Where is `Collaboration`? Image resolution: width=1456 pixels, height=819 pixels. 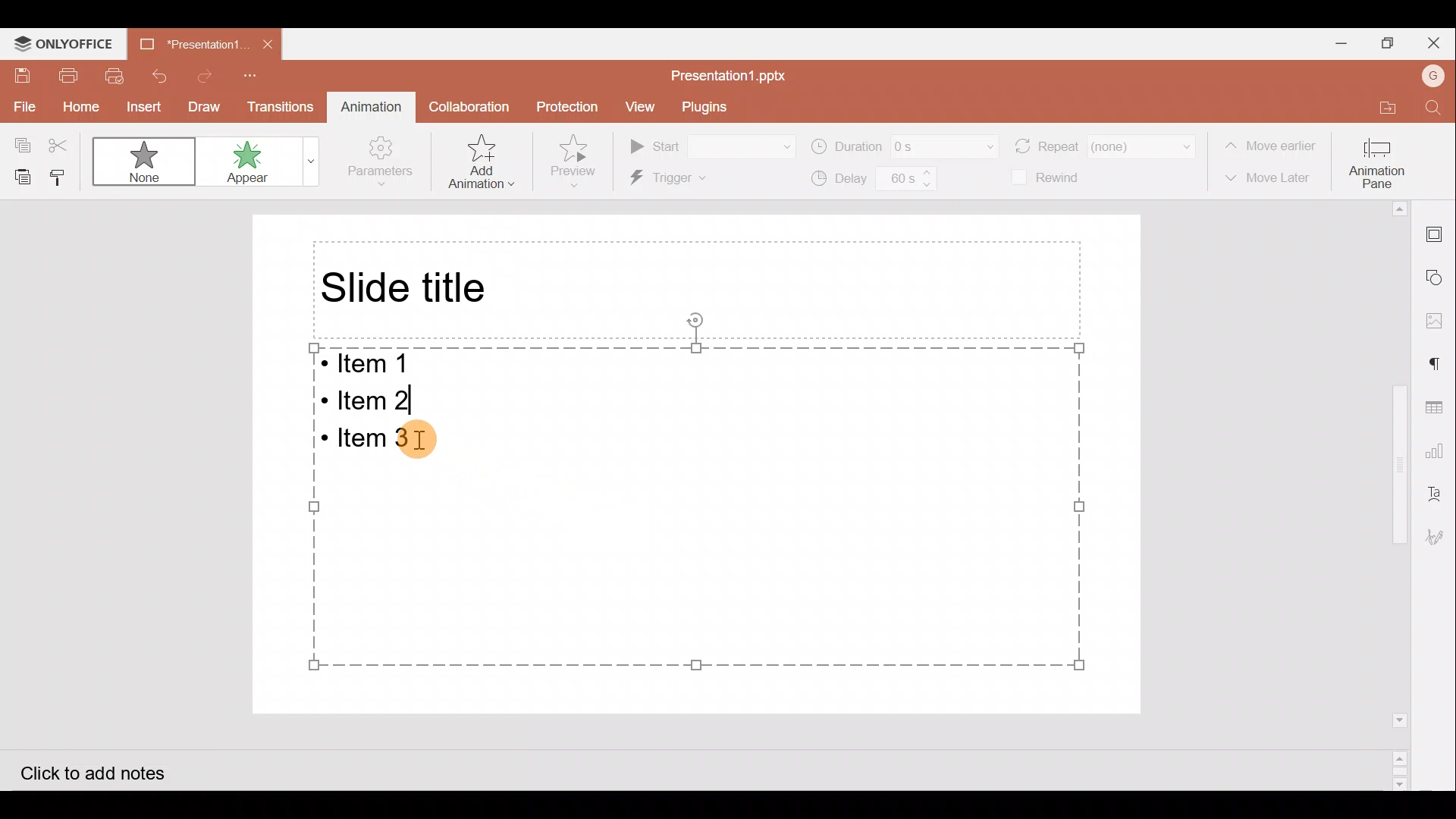 Collaboration is located at coordinates (470, 106).